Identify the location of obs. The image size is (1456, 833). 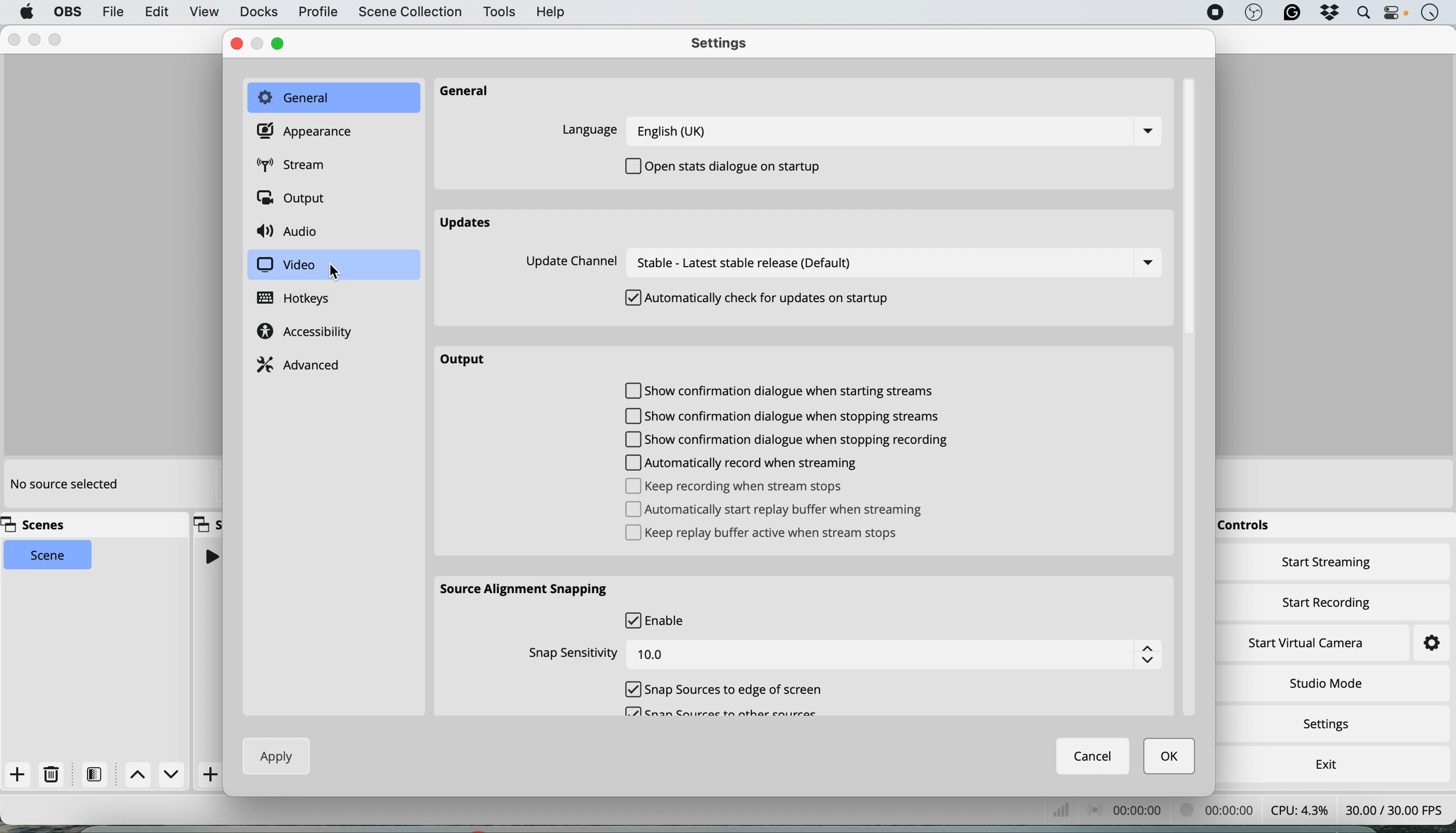
(1252, 13).